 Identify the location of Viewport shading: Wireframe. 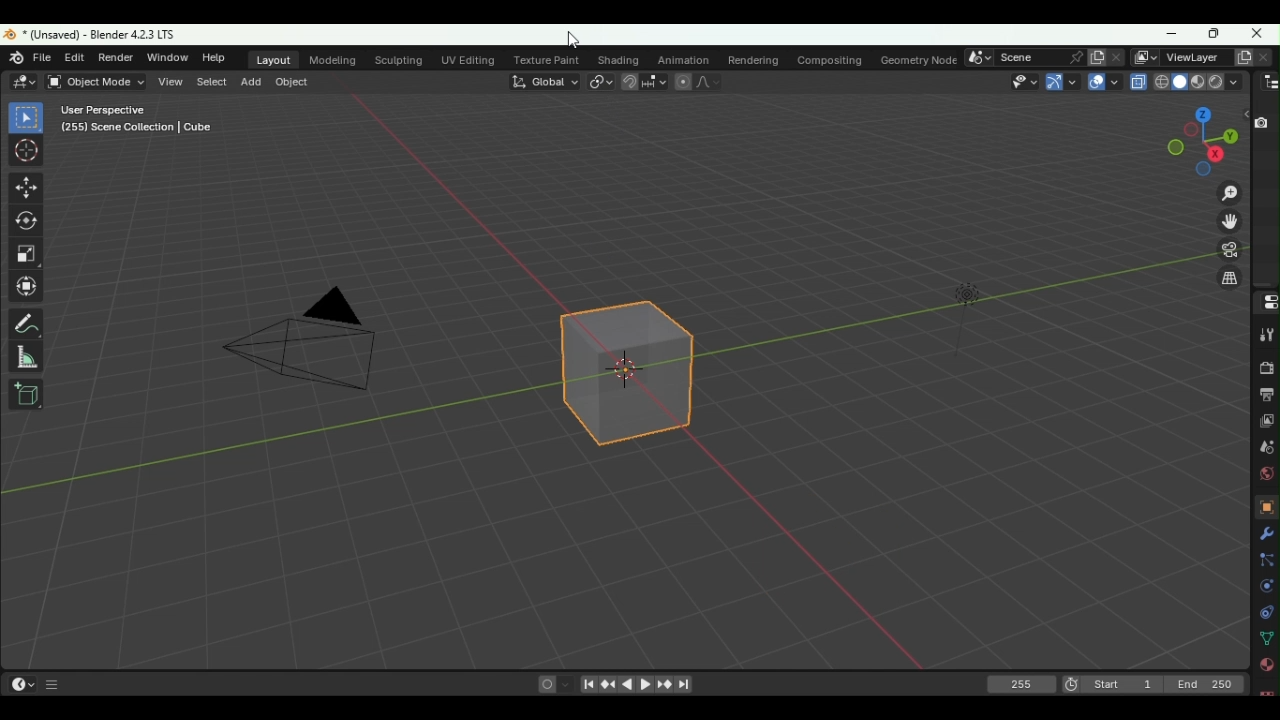
(1161, 81).